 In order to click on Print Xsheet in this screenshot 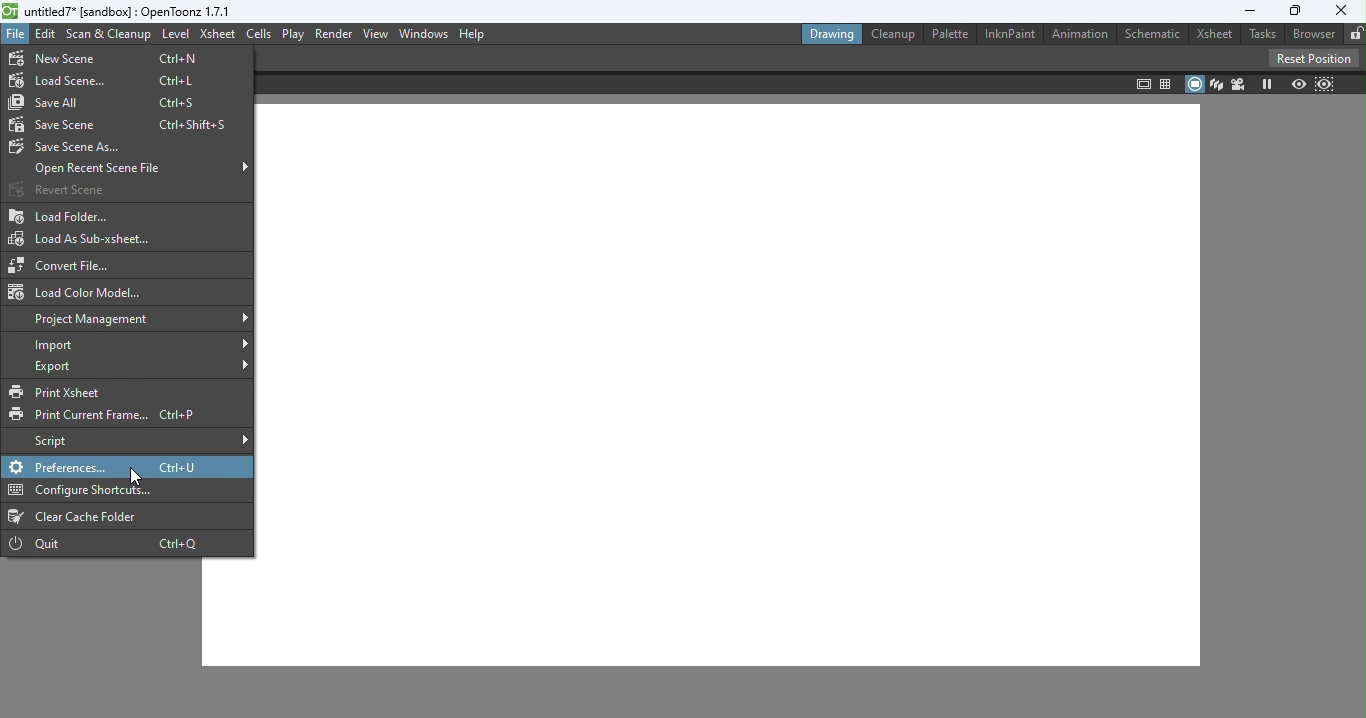, I will do `click(81, 391)`.